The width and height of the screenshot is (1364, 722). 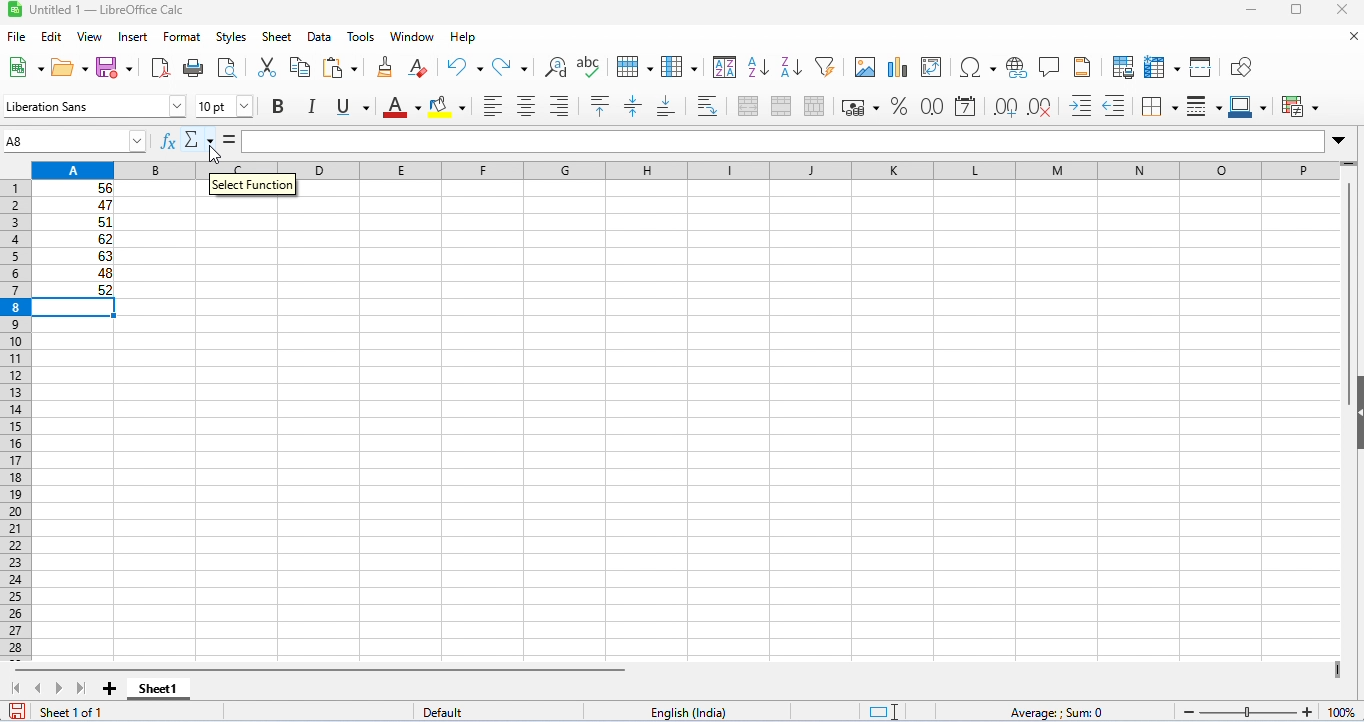 What do you see at coordinates (1355, 428) in the screenshot?
I see `close or open side bar` at bounding box center [1355, 428].